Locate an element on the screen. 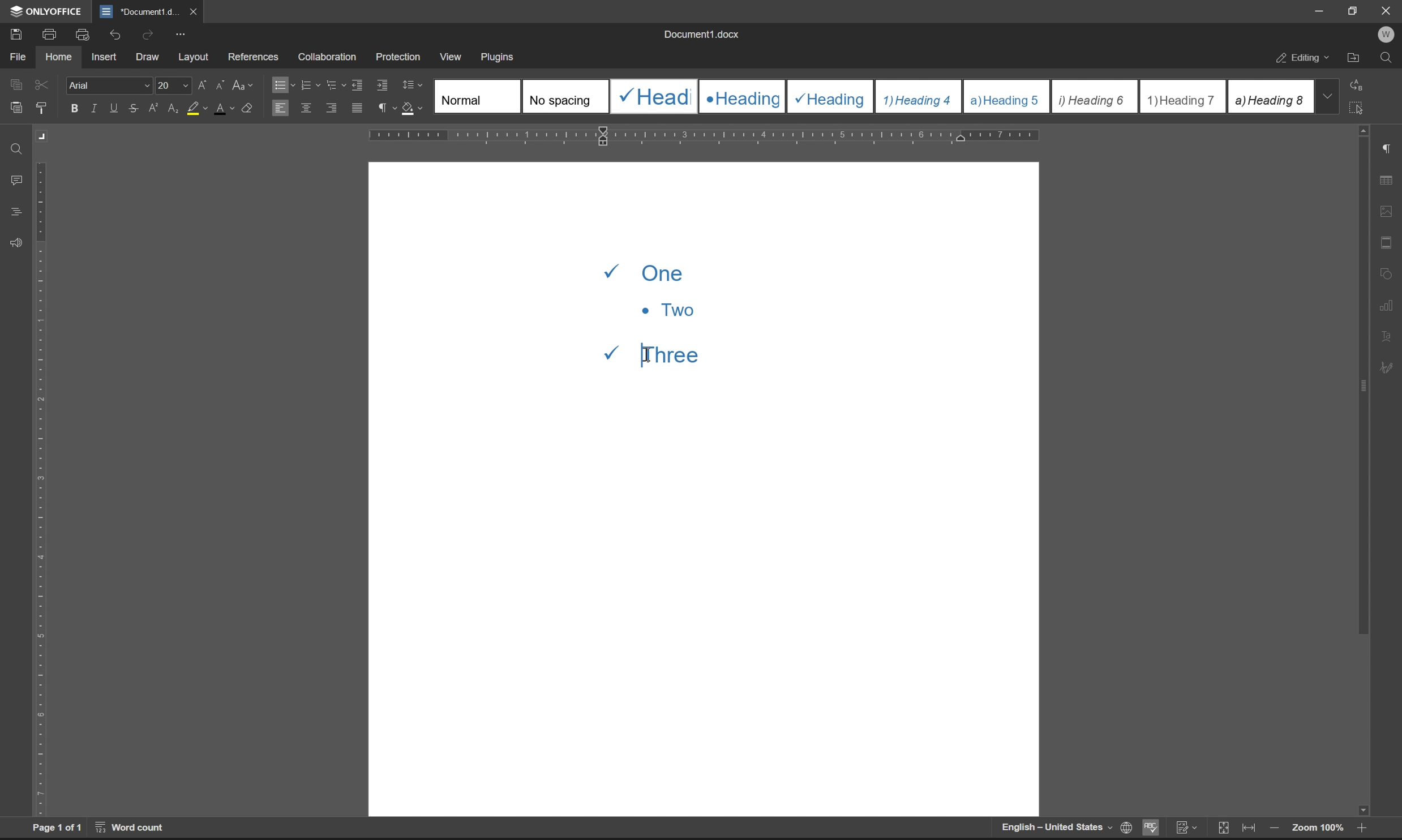  restore down is located at coordinates (1356, 10).